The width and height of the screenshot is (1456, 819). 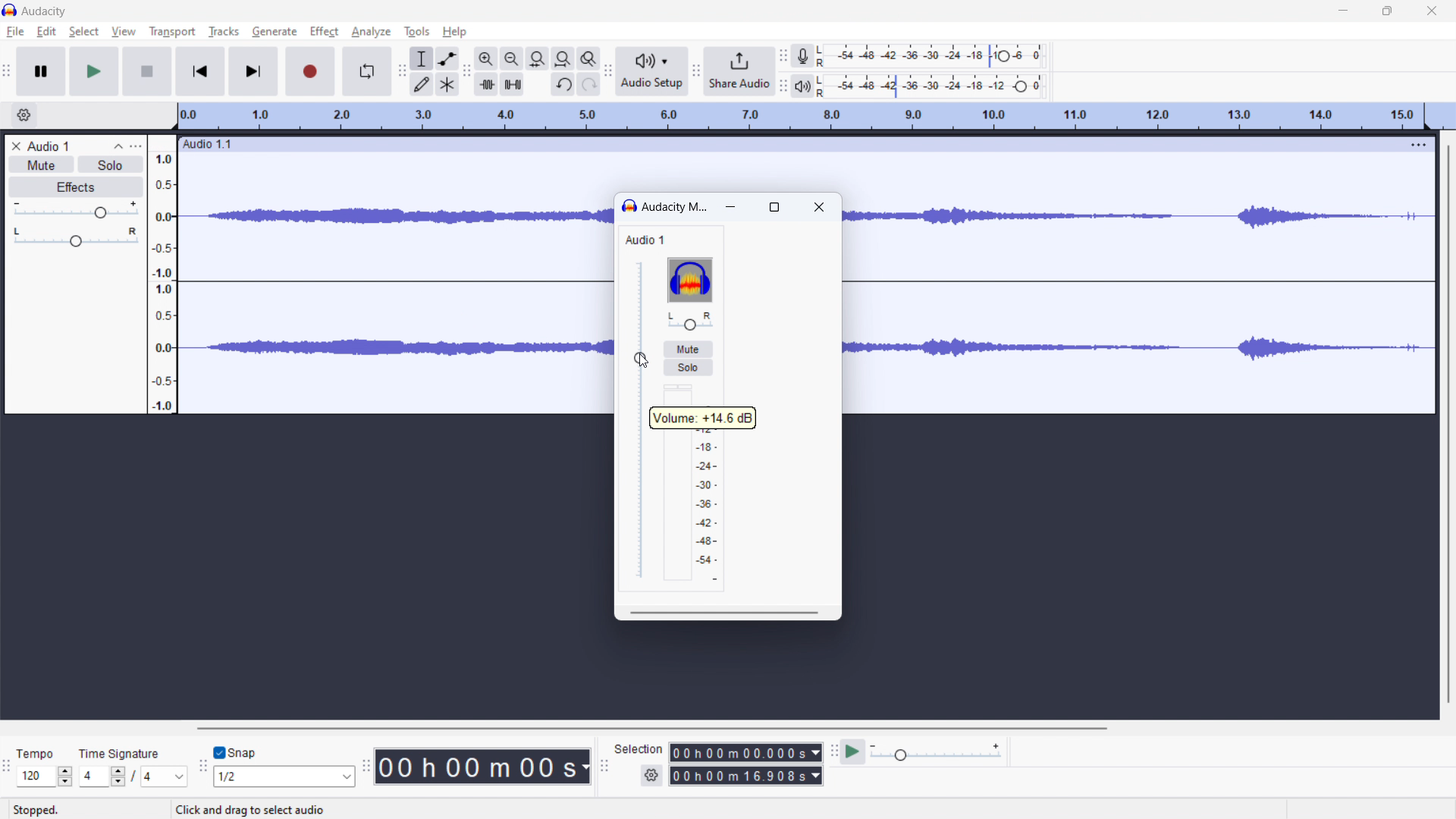 I want to click on recording meter toolbar, so click(x=783, y=55).